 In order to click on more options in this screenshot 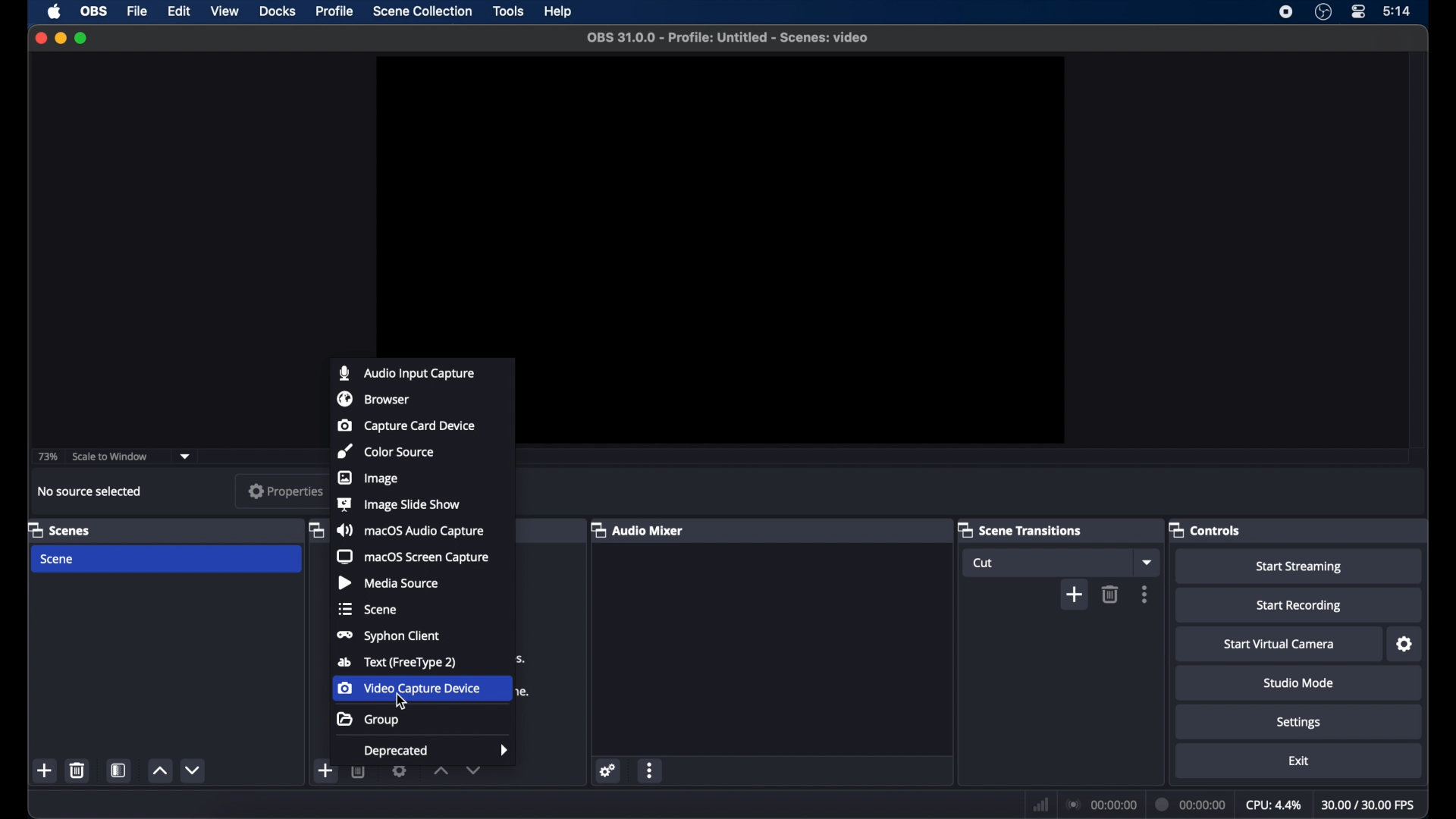, I will do `click(651, 770)`.